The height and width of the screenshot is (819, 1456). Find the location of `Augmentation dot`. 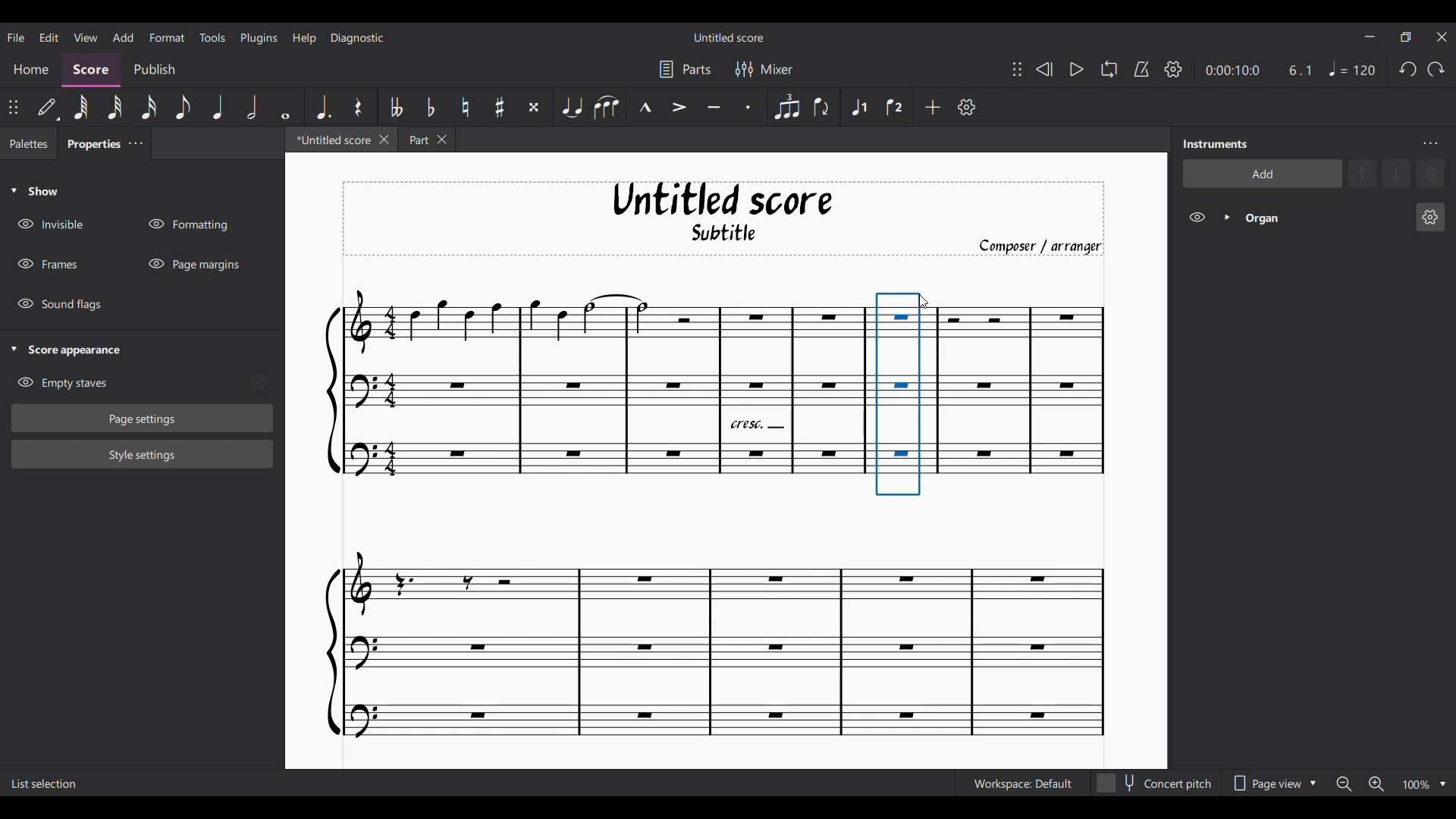

Augmentation dot is located at coordinates (322, 107).